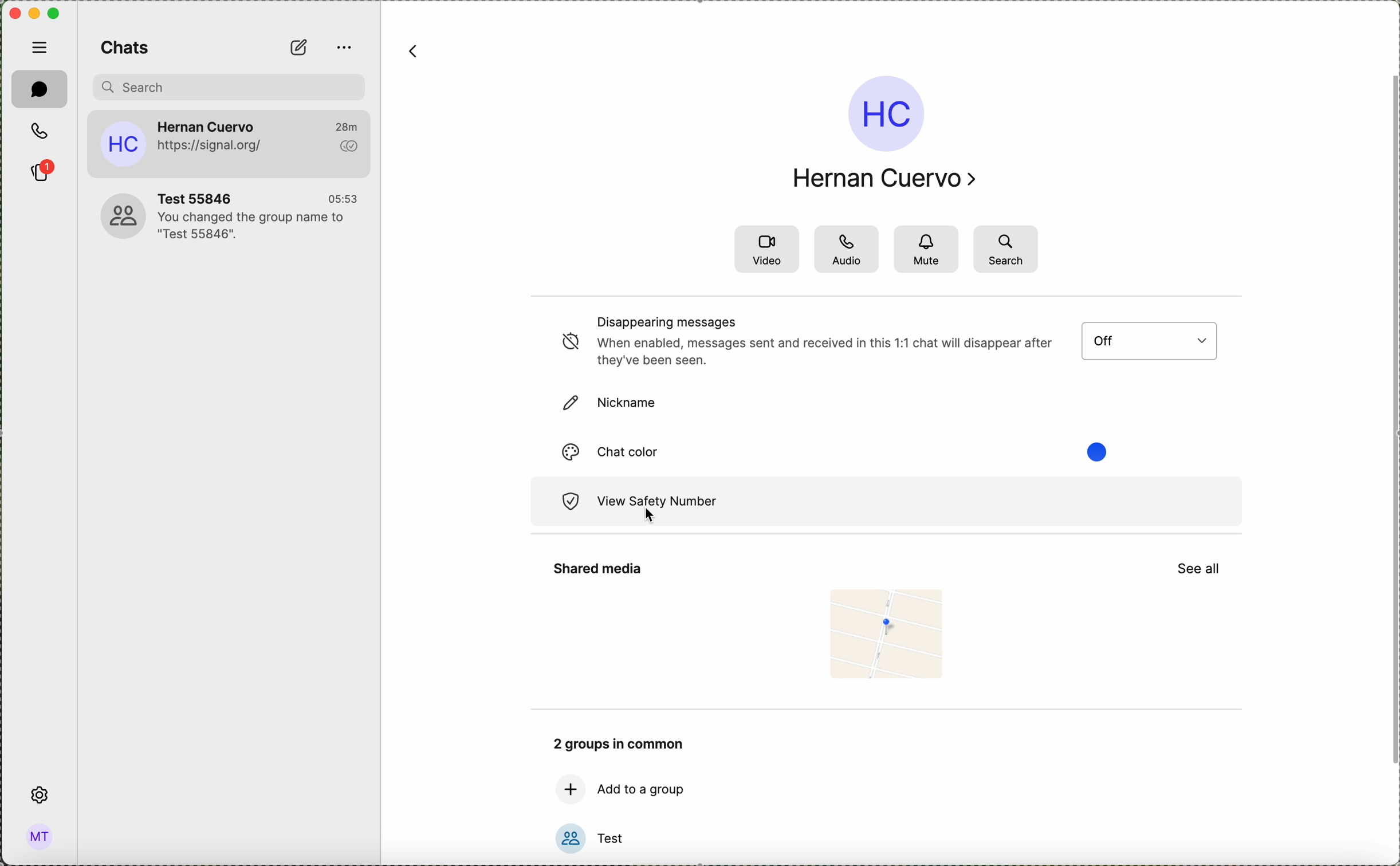 This screenshot has width=1400, height=866. I want to click on map, so click(888, 637).